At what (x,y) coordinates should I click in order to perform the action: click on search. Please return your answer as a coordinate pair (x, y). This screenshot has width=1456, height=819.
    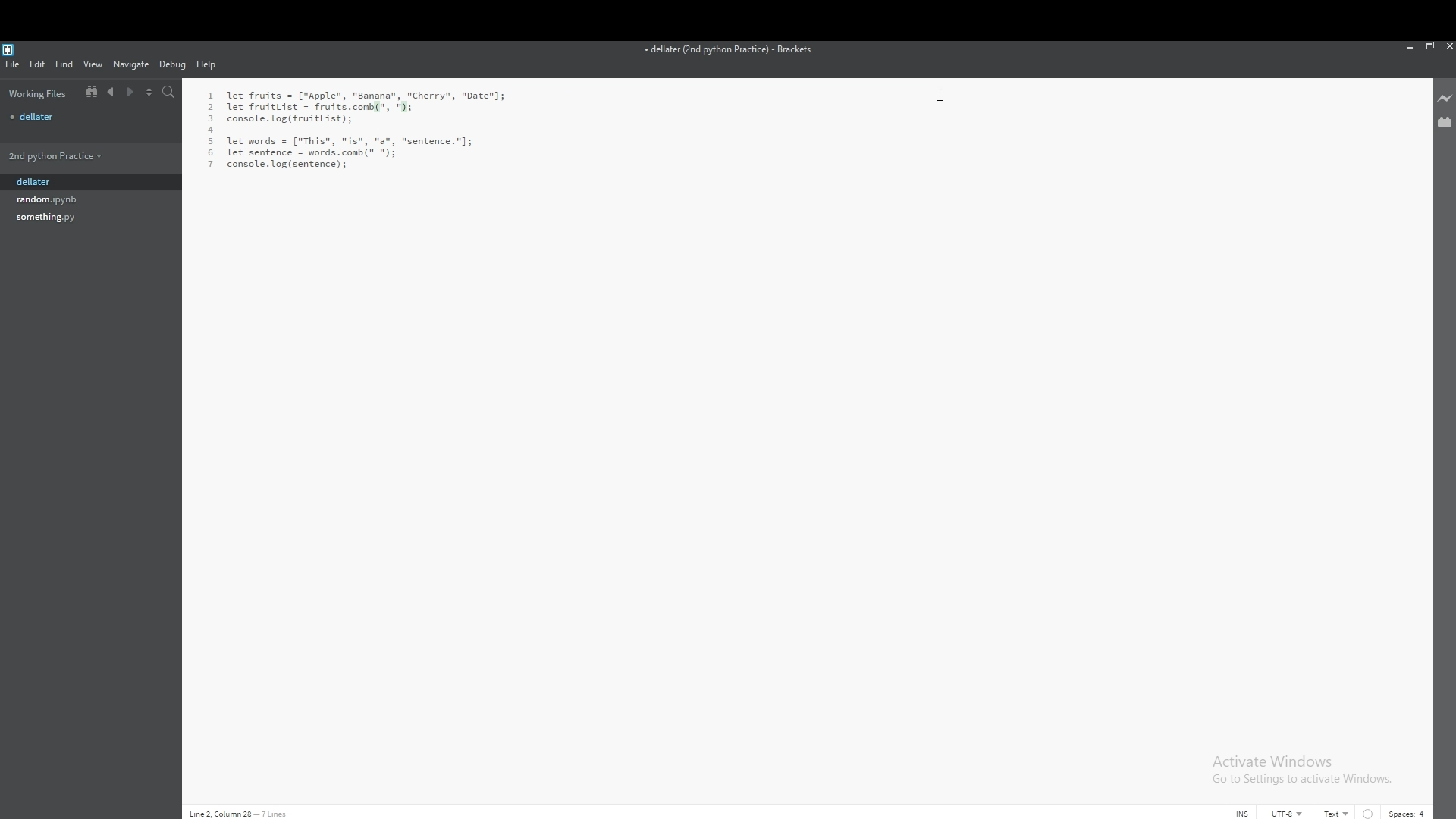
    Looking at the image, I should click on (169, 92).